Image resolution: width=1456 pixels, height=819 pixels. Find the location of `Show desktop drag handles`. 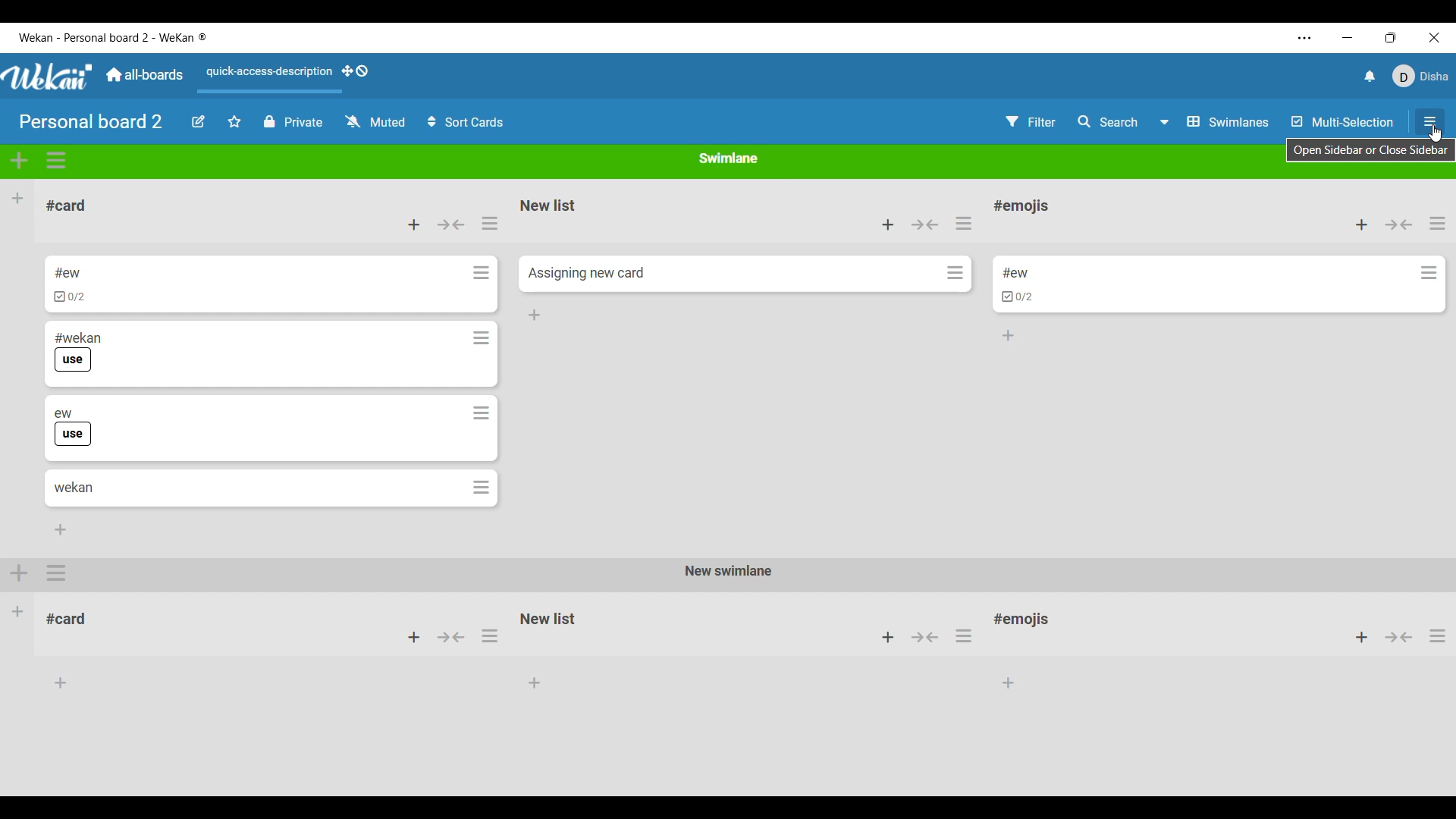

Show desktop drag handles is located at coordinates (355, 71).